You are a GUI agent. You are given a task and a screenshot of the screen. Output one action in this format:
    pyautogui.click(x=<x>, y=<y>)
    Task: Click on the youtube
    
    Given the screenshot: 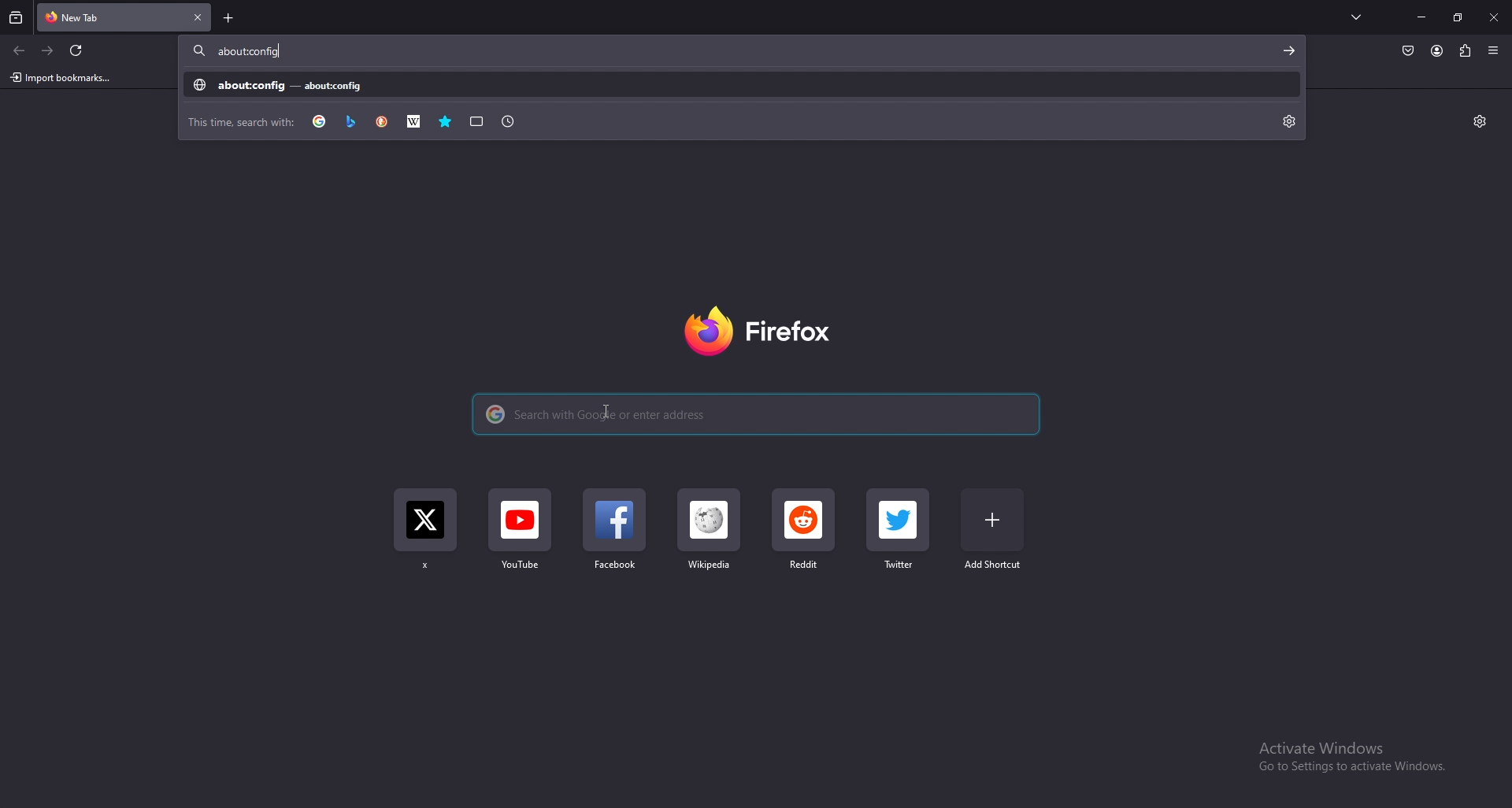 What is the action you would take?
    pyautogui.click(x=520, y=538)
    